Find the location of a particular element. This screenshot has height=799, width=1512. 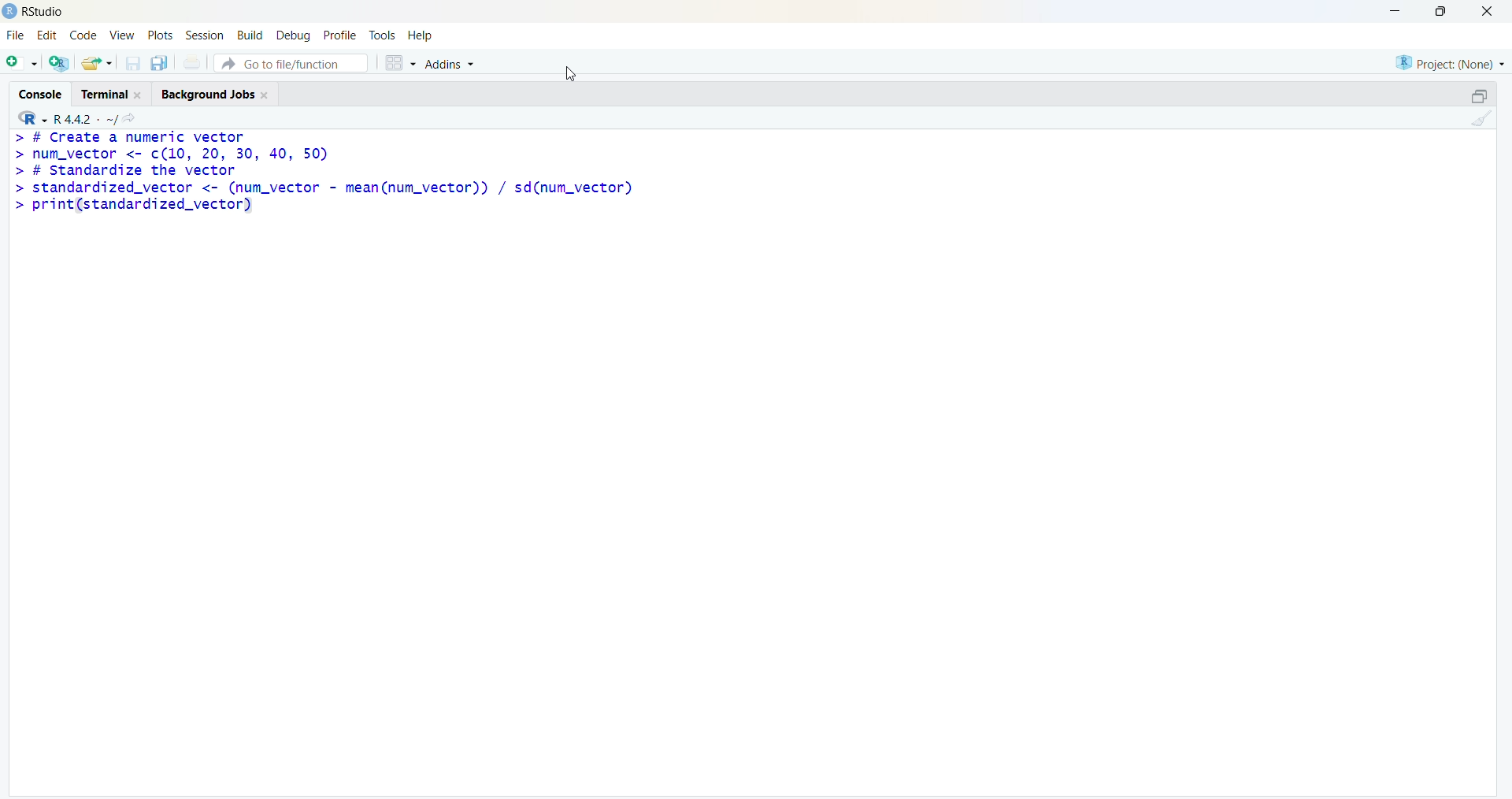

save is located at coordinates (132, 63).